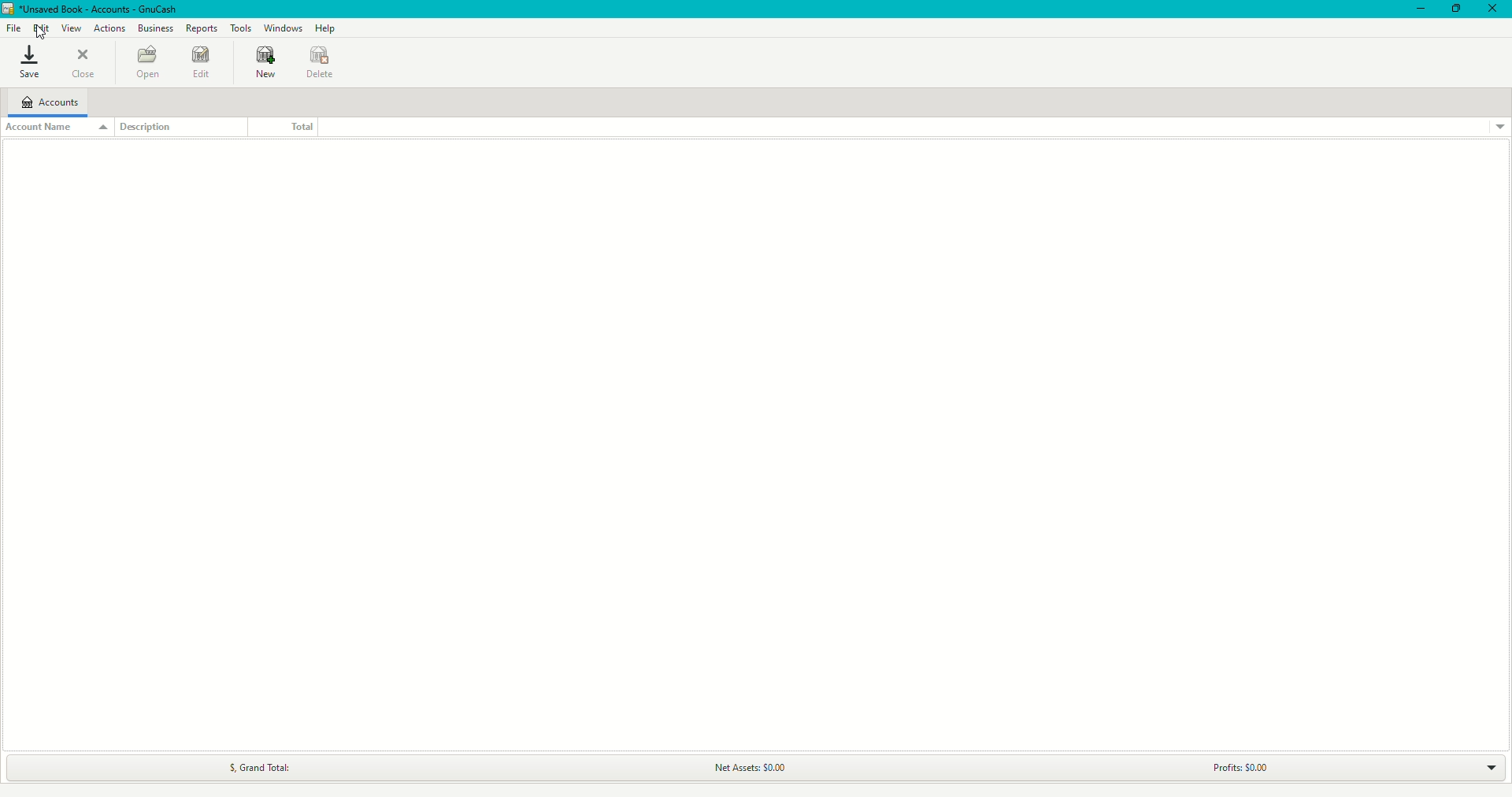  Describe the element at coordinates (1499, 127) in the screenshot. I see `Drop down` at that location.